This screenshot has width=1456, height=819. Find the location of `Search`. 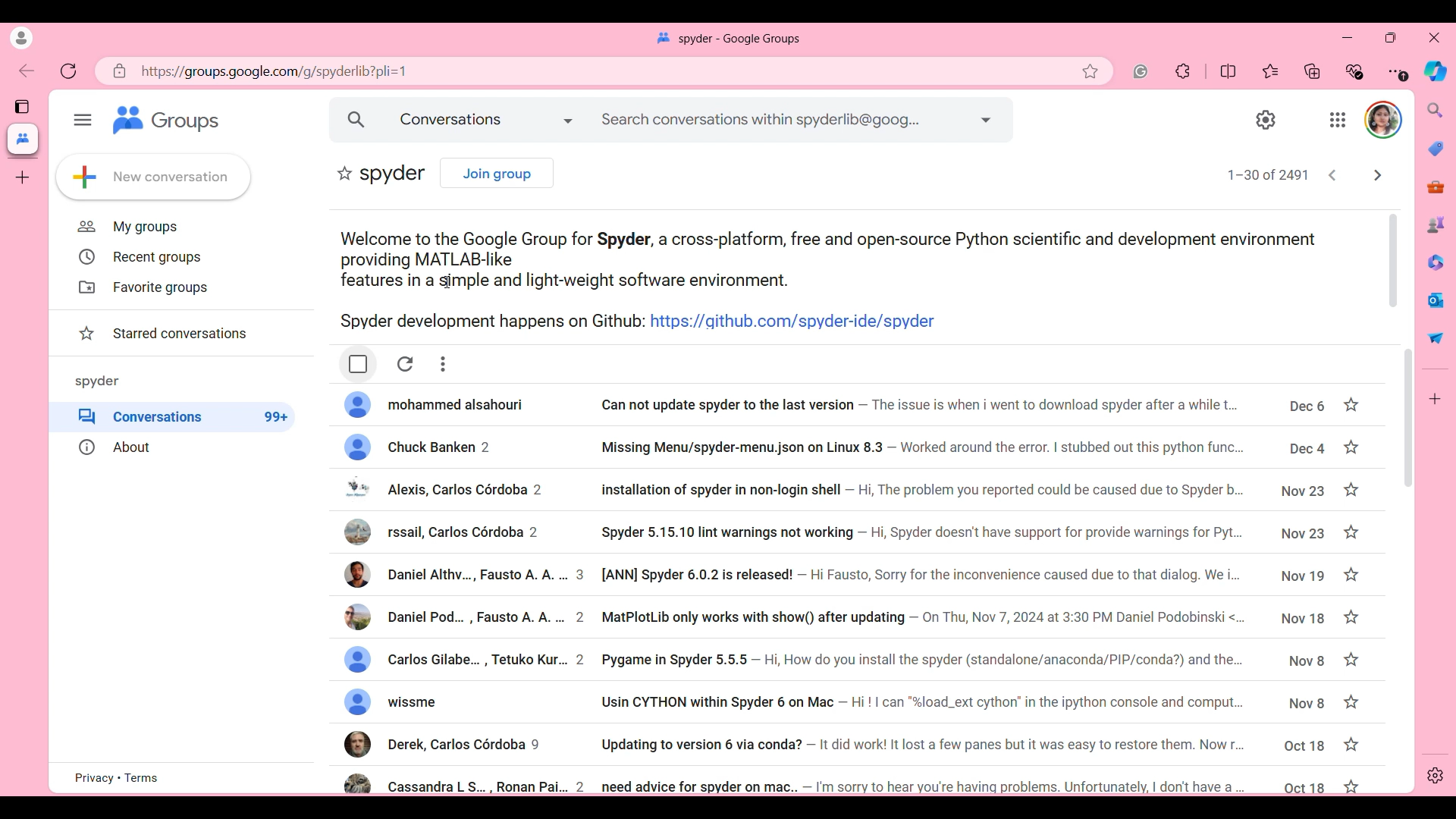

Search is located at coordinates (1435, 109).